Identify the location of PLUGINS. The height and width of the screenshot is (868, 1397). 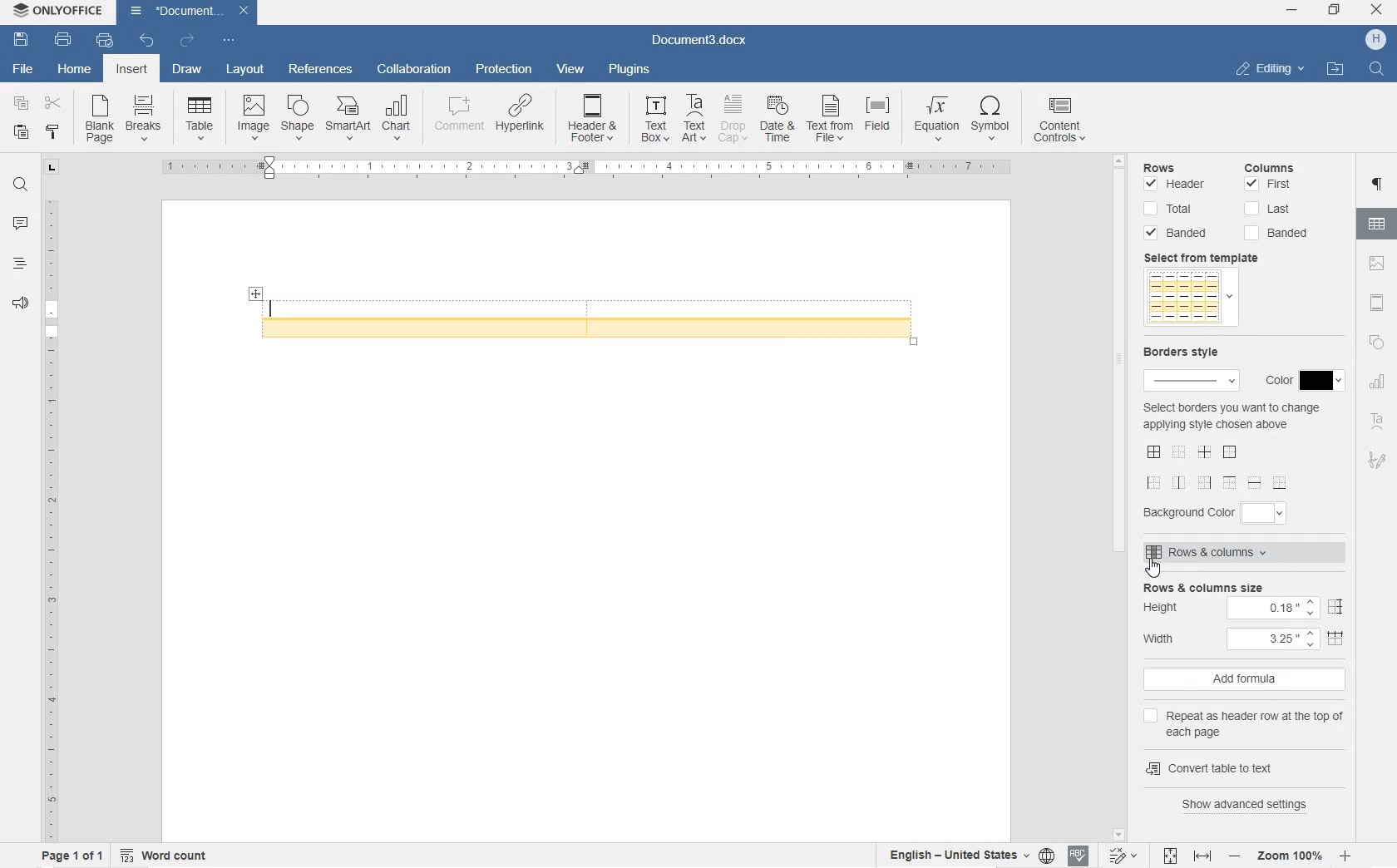
(627, 69).